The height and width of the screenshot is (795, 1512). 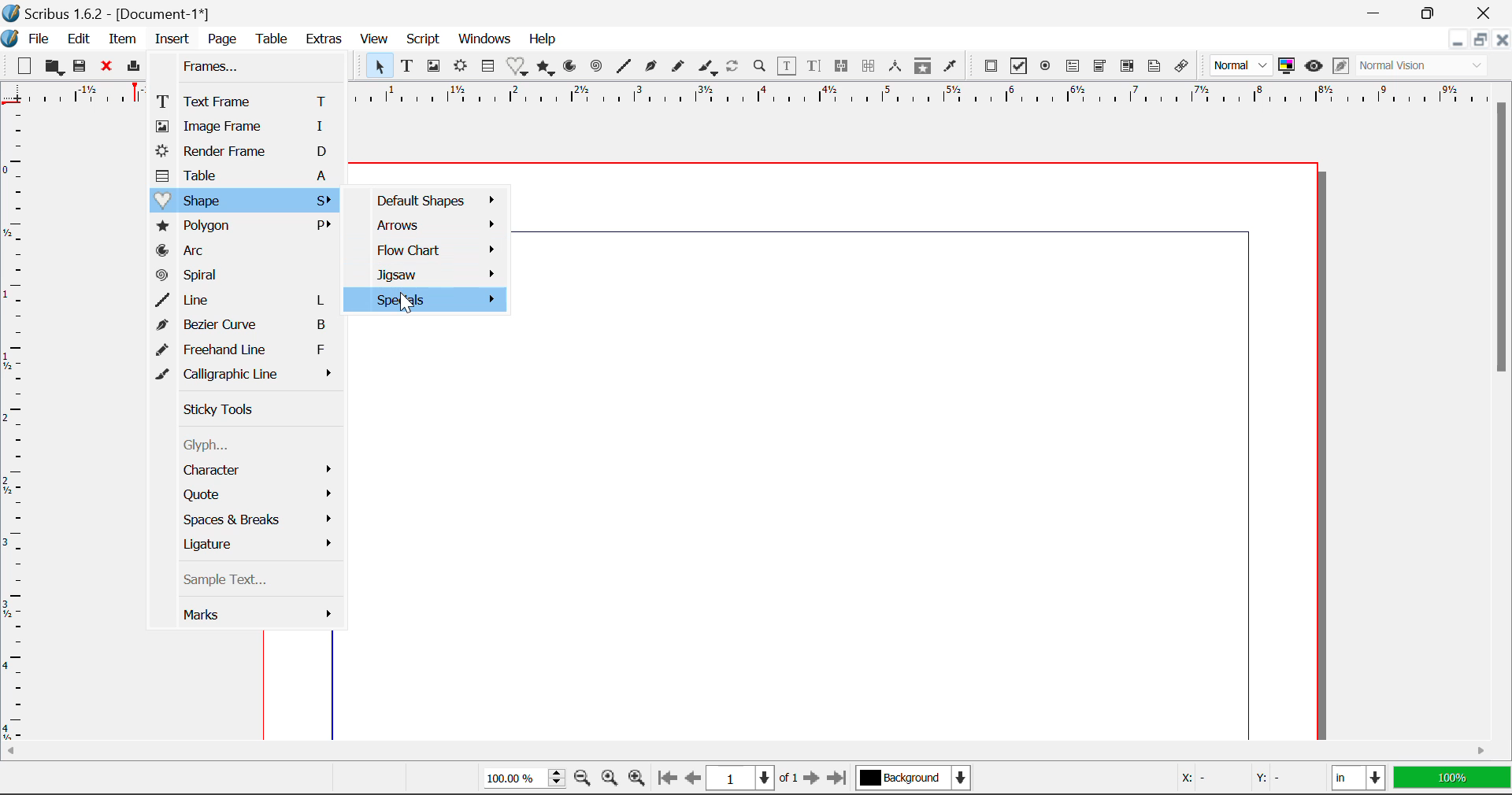 I want to click on Zoom to 100%, so click(x=608, y=780).